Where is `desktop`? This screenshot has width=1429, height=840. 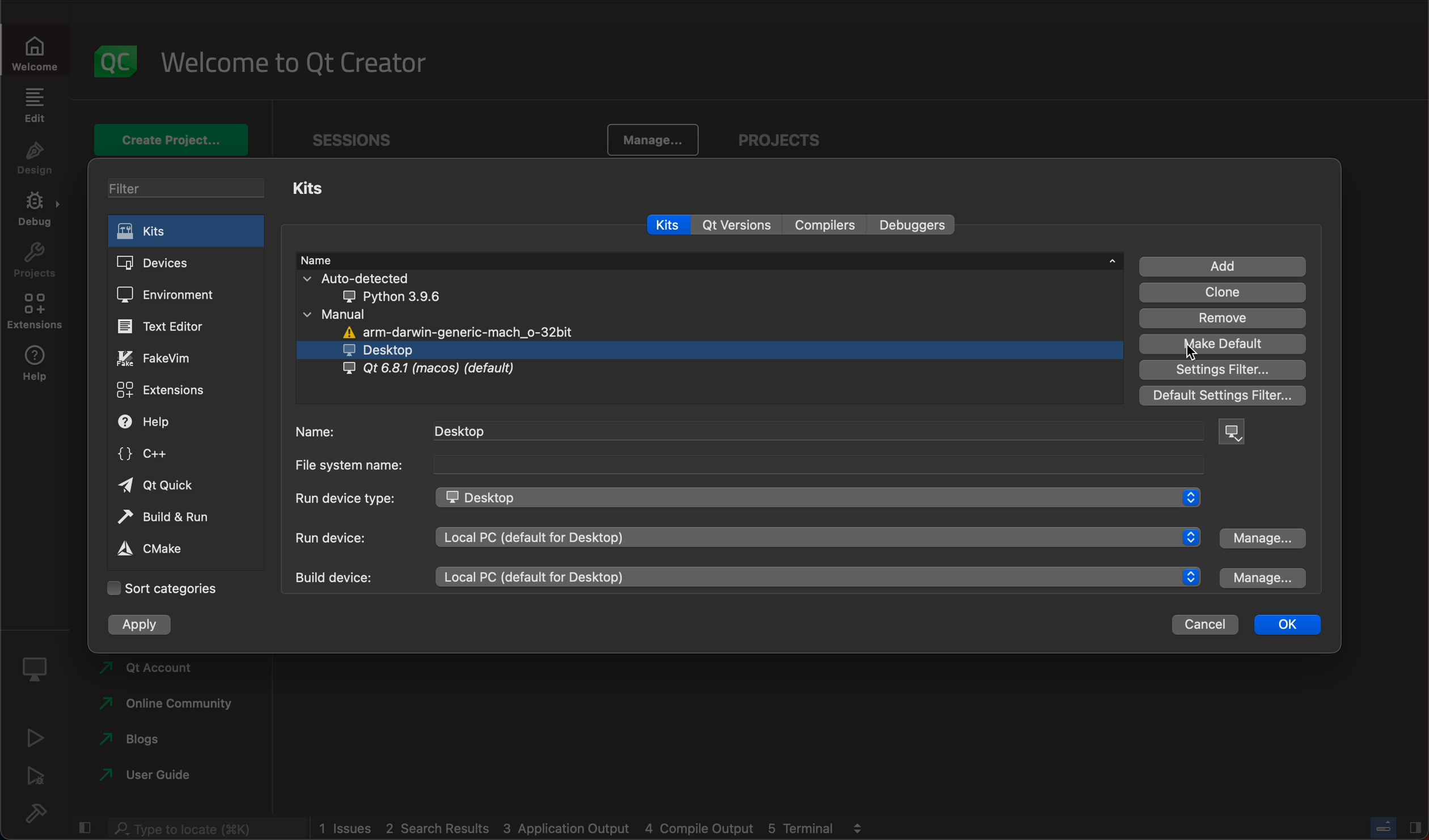 desktop is located at coordinates (813, 431).